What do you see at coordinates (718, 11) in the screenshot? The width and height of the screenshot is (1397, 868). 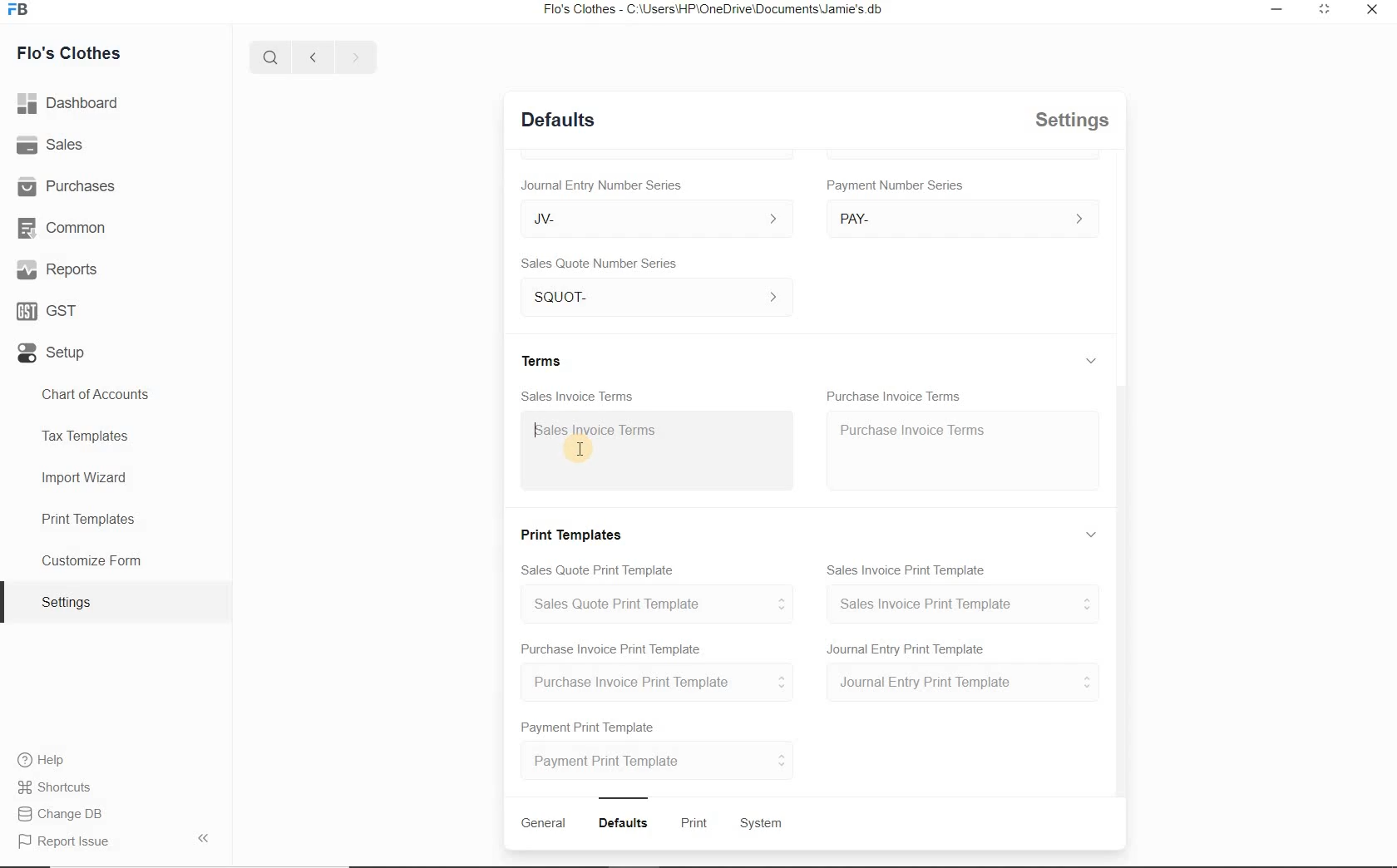 I see `Flo's Clothes - C:\Users\HP\OneDrive\Documents\Jamie's.db` at bounding box center [718, 11].